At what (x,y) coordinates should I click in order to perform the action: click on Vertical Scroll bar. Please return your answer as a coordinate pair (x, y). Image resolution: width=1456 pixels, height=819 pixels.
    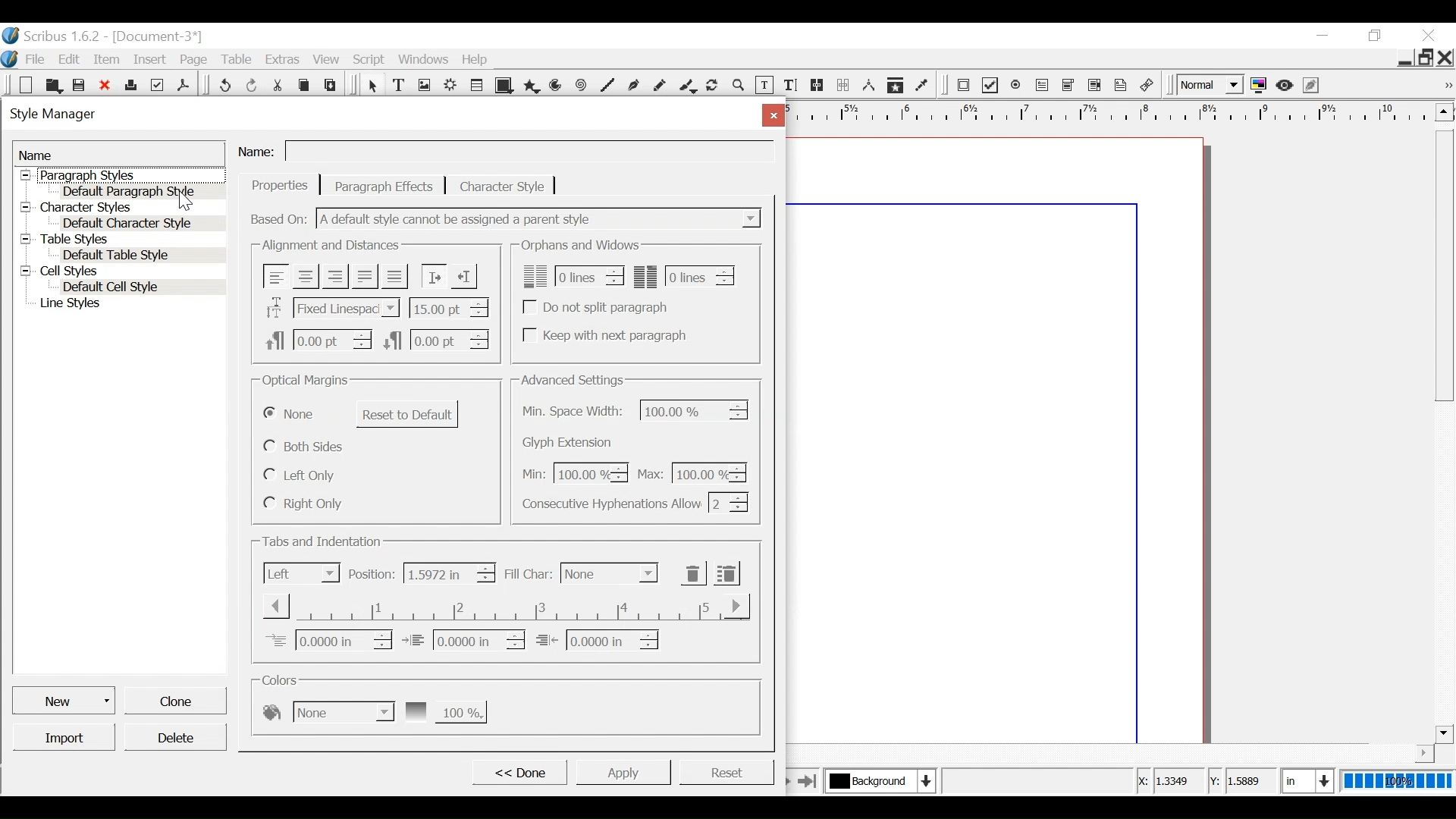
    Looking at the image, I should click on (1444, 264).